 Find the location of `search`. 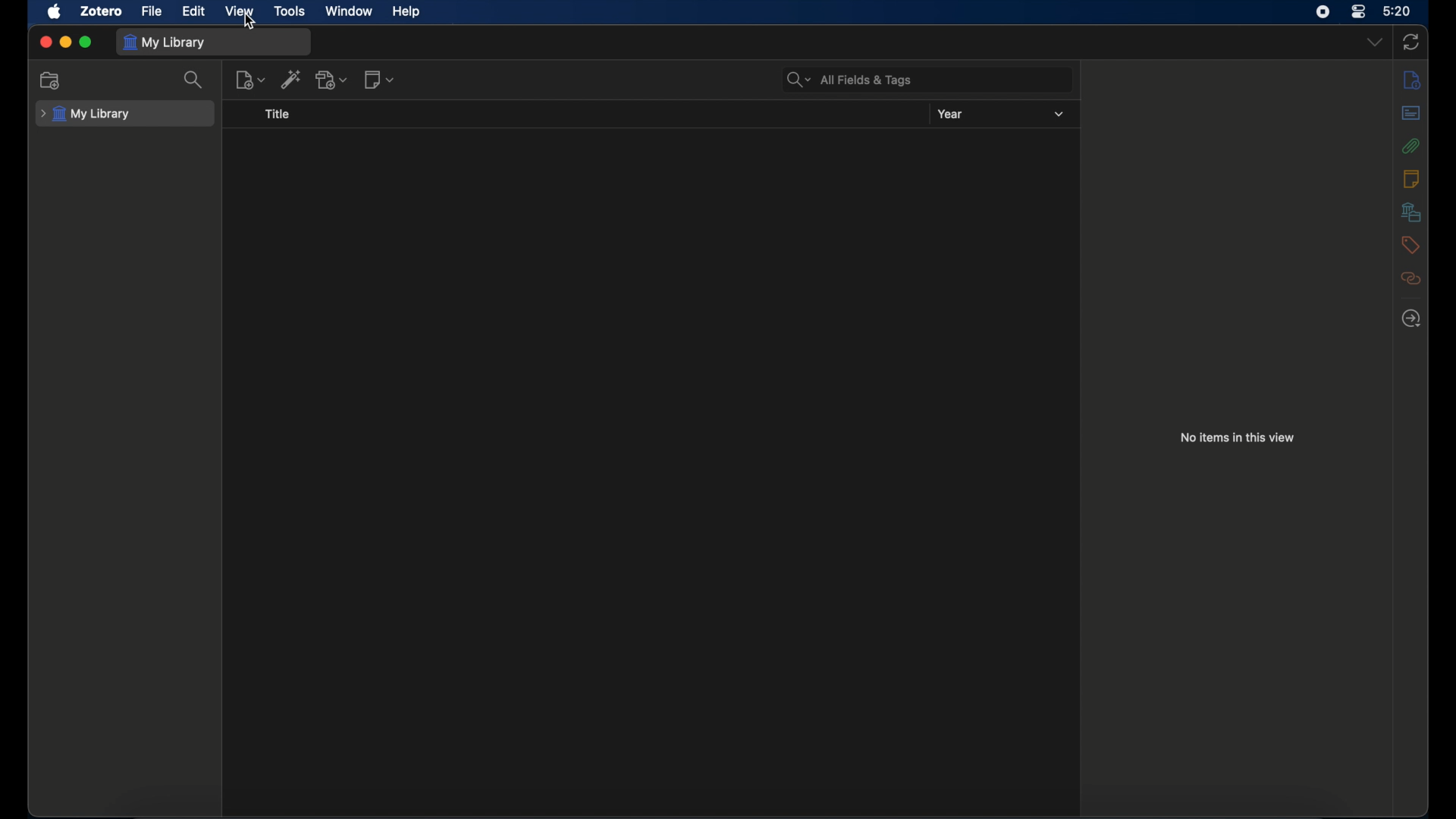

search is located at coordinates (194, 80).